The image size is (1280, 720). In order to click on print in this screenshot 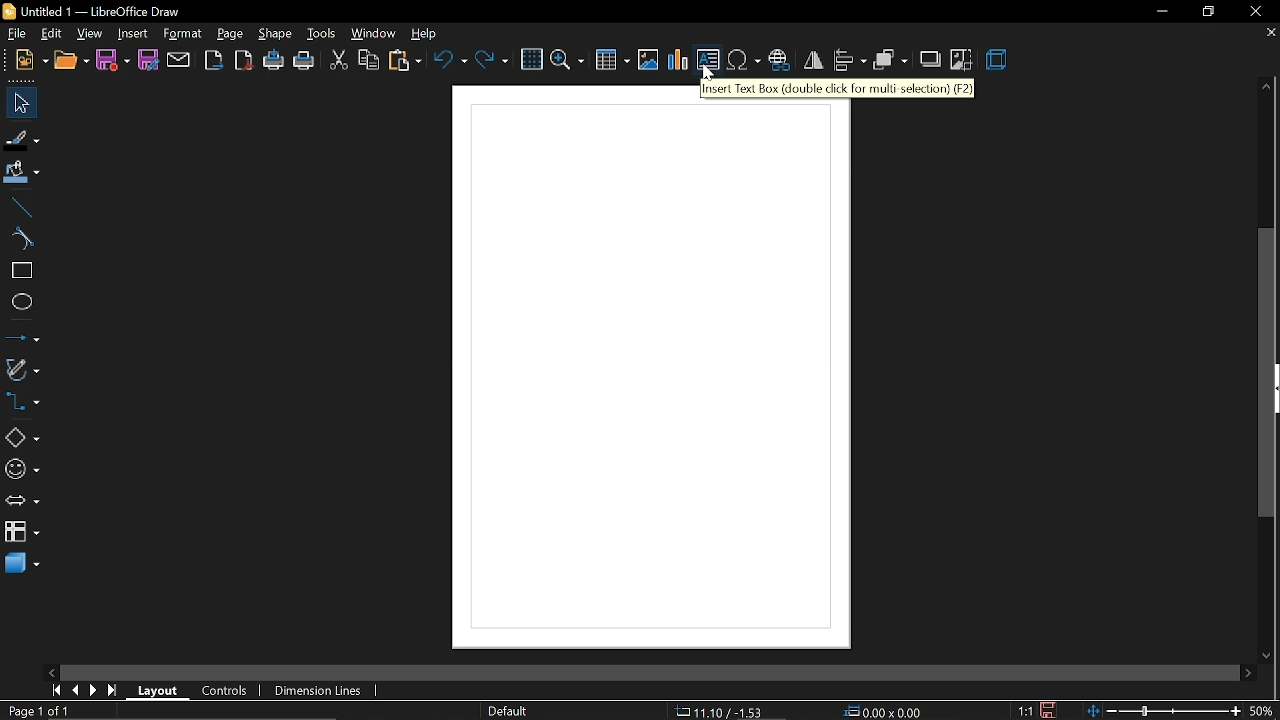, I will do `click(305, 63)`.